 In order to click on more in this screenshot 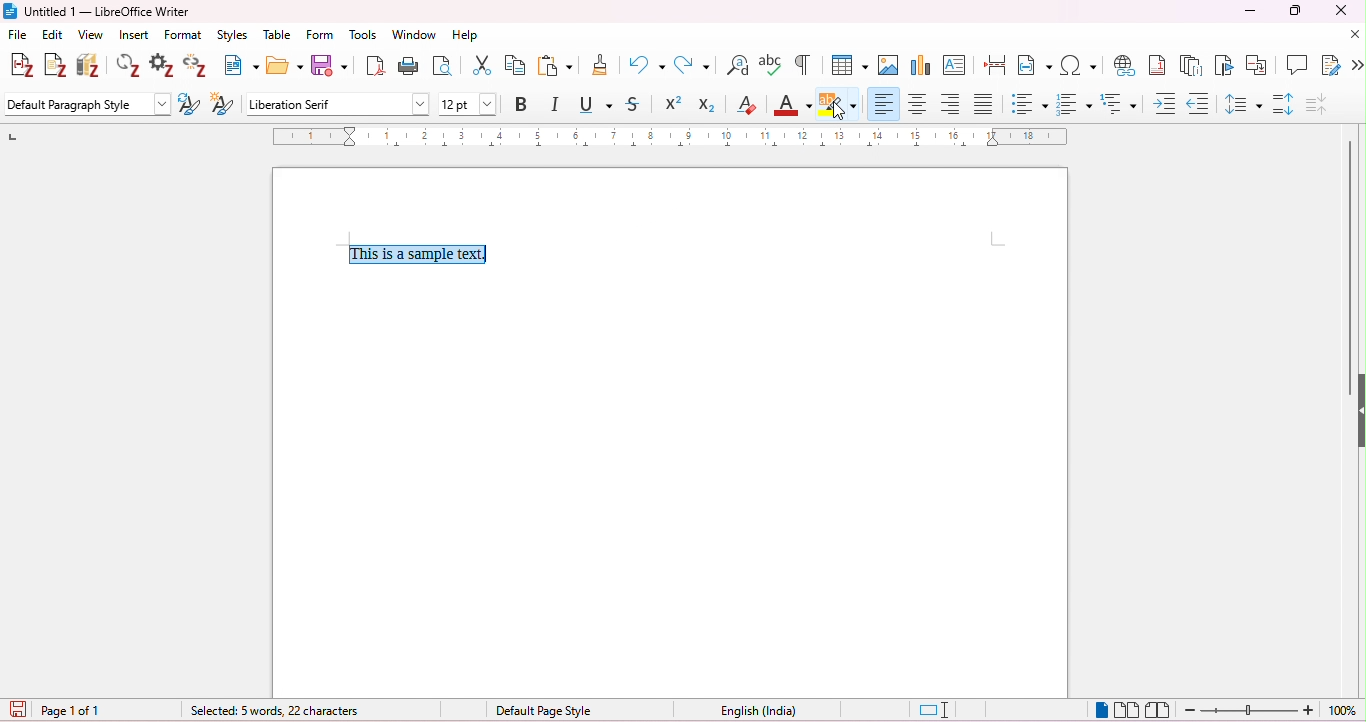, I will do `click(1357, 66)`.